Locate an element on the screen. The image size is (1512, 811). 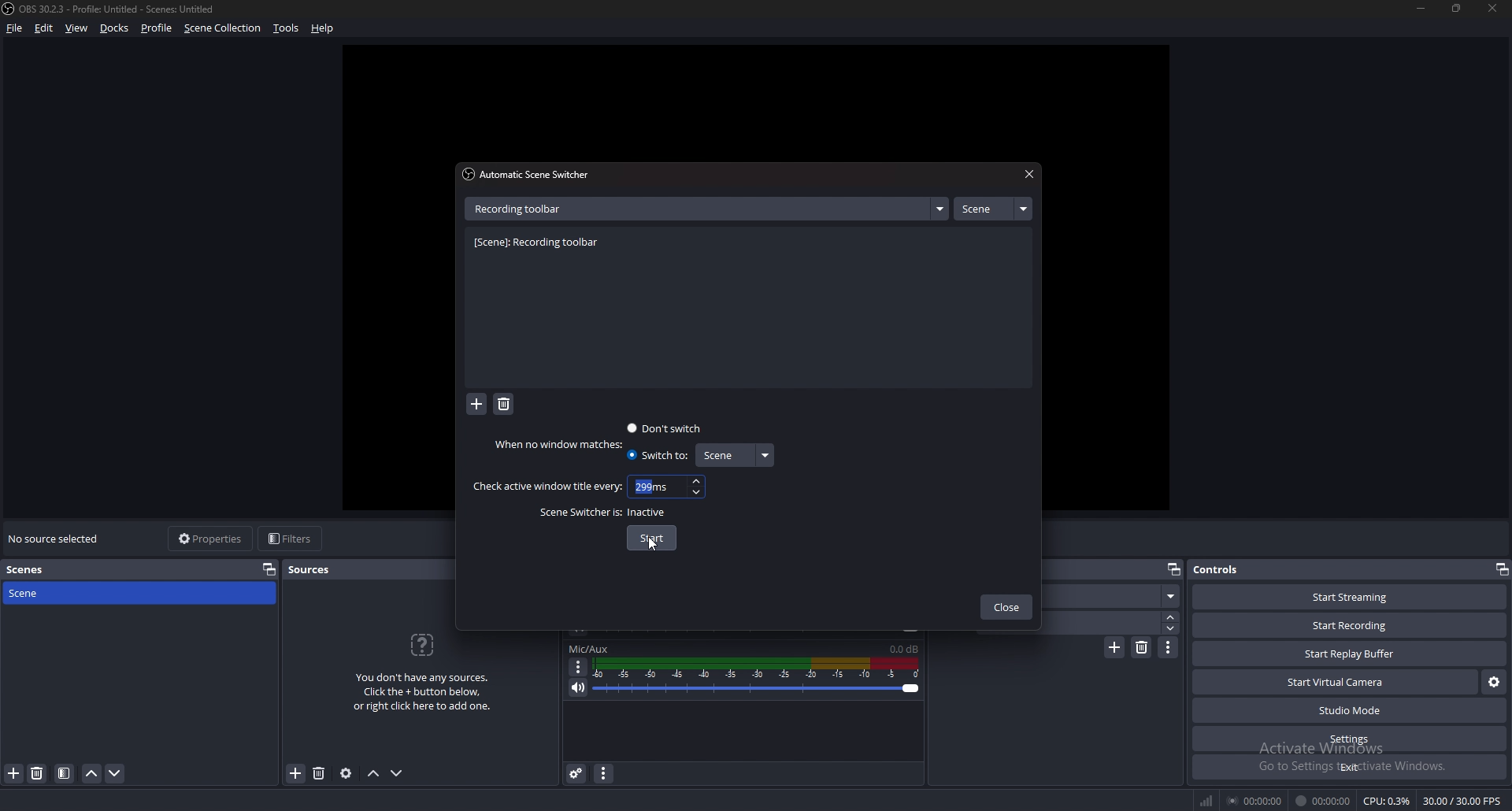
file is located at coordinates (16, 28).